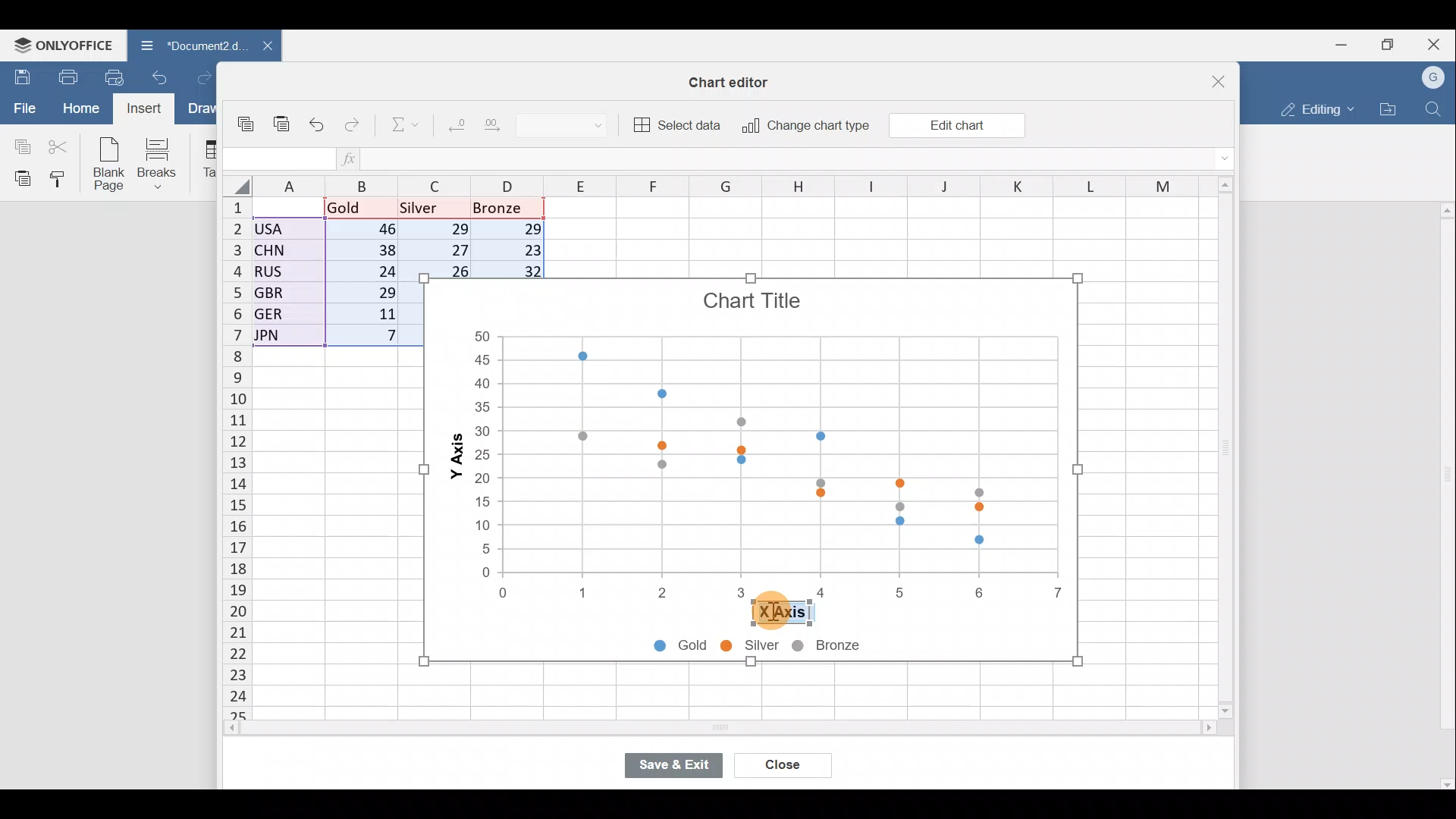  I want to click on Close, so click(1436, 42).